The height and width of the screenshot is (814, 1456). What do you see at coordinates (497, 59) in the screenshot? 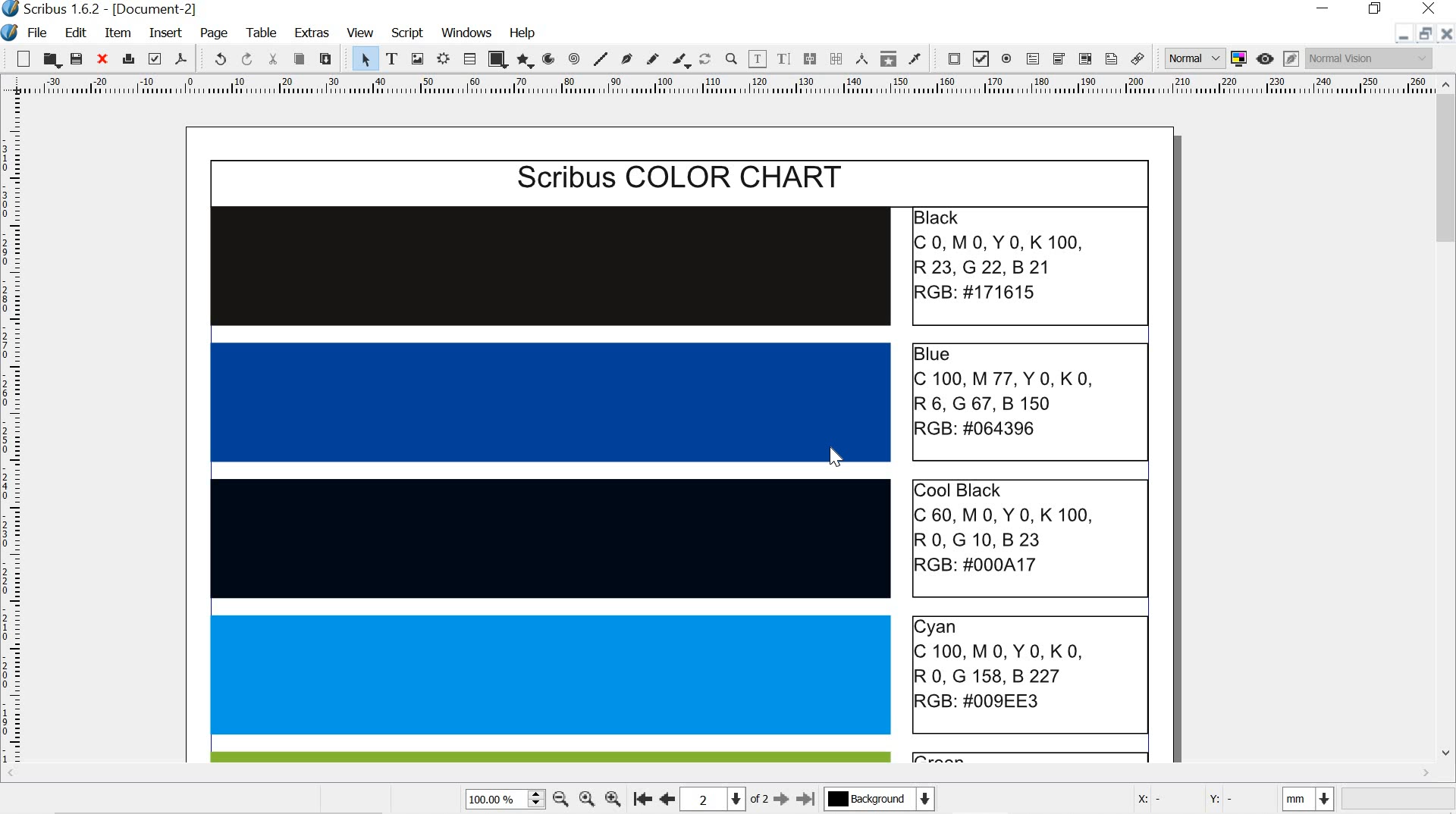
I see `shape` at bounding box center [497, 59].